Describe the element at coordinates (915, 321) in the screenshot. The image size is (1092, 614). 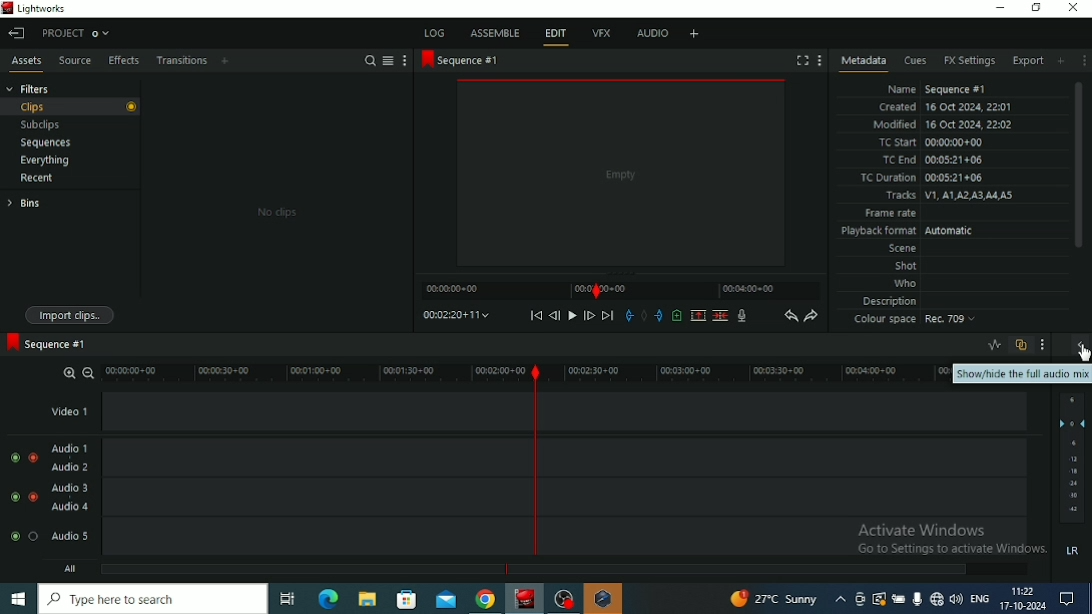
I see `Colour space` at that location.